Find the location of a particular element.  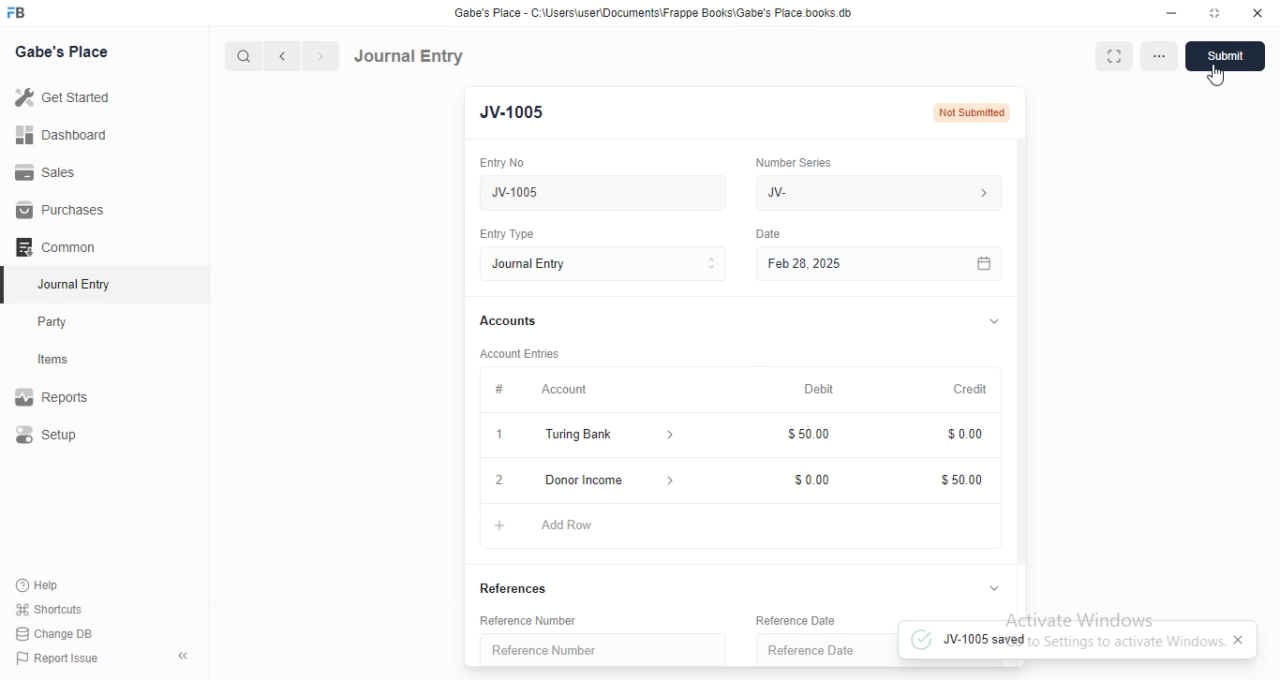

Add Row is located at coordinates (554, 527).